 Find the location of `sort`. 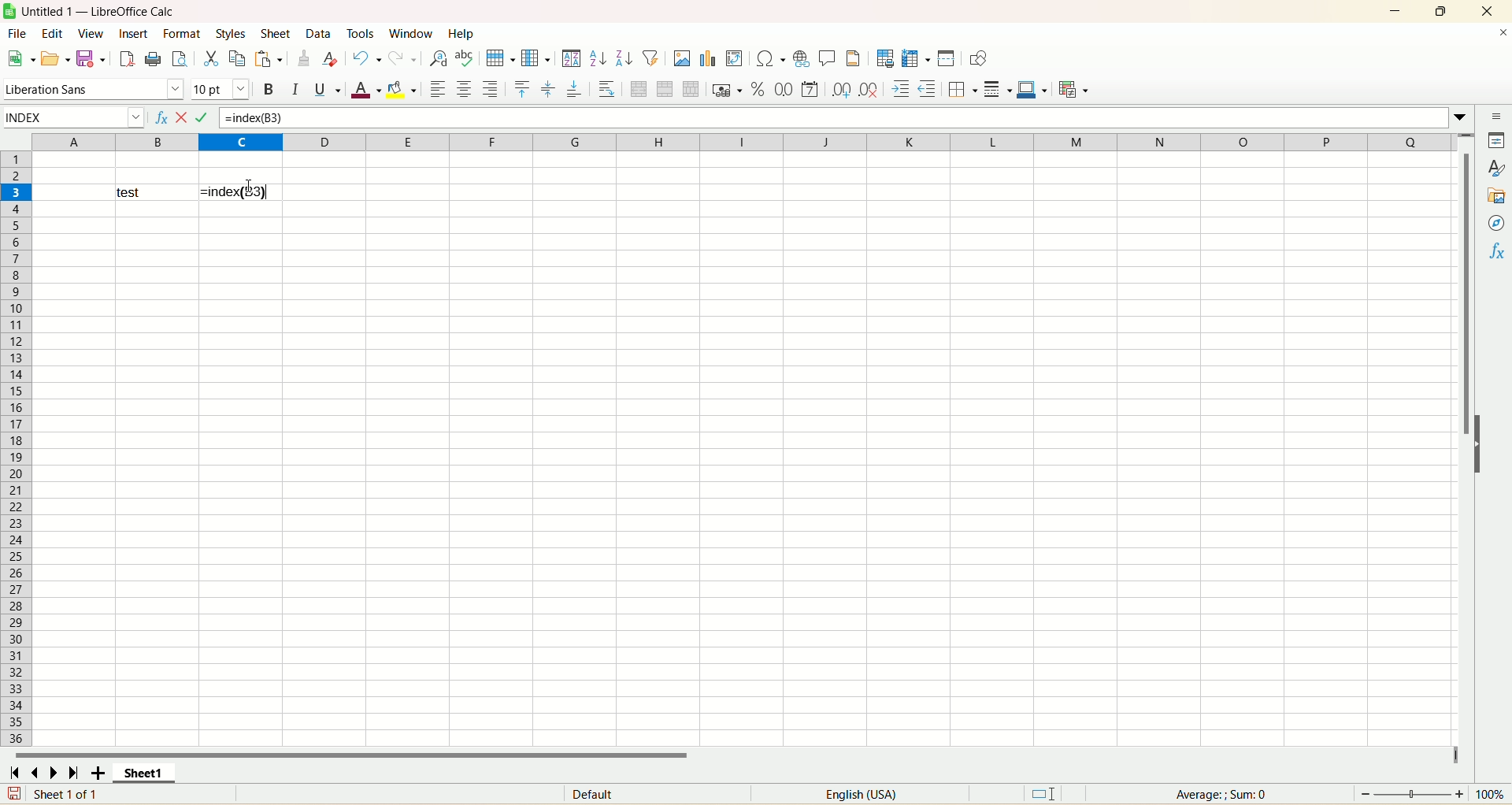

sort is located at coordinates (572, 58).